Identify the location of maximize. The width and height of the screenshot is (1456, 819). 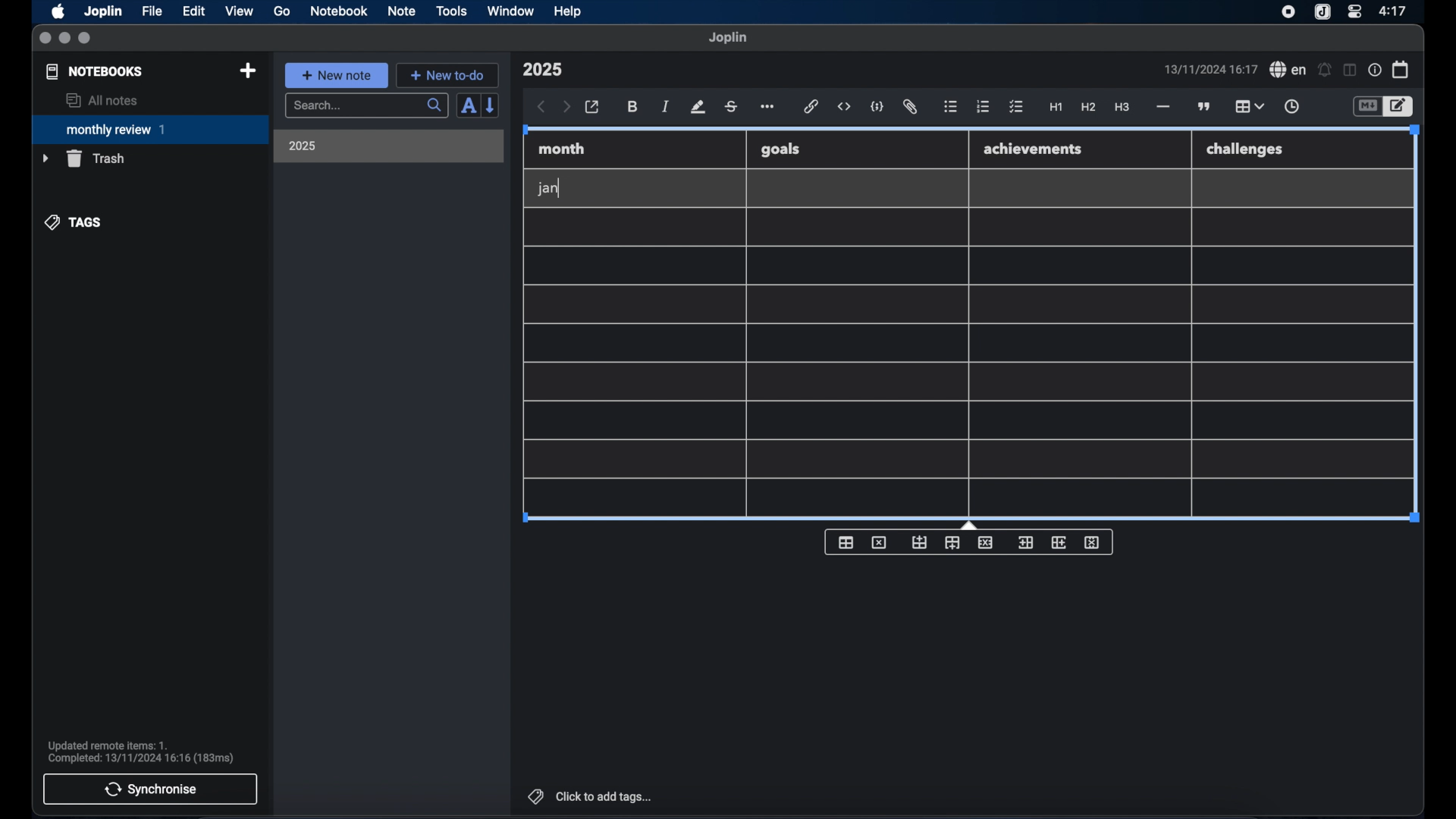
(86, 39).